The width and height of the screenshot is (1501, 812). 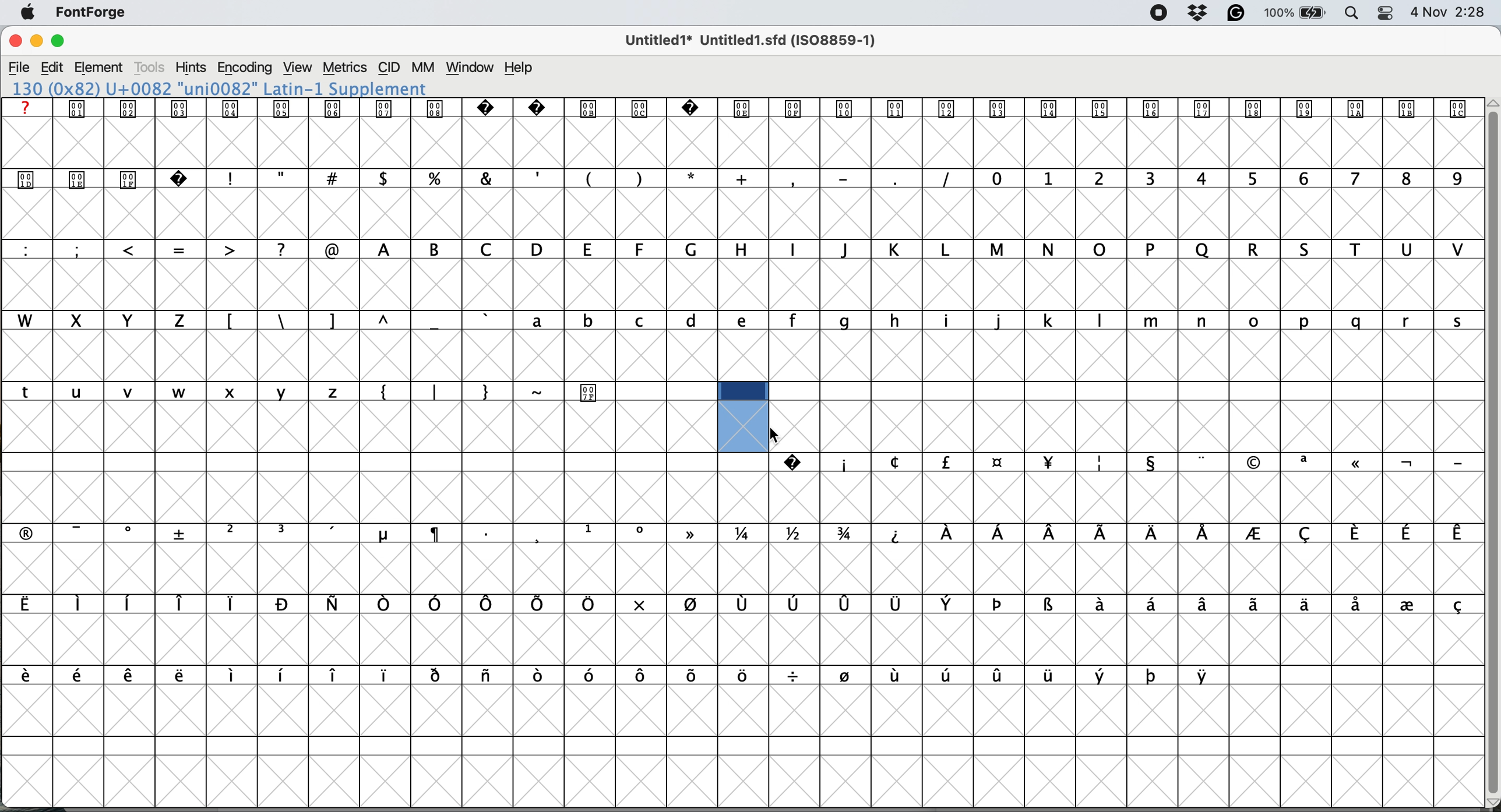 What do you see at coordinates (52, 68) in the screenshot?
I see `edit` at bounding box center [52, 68].